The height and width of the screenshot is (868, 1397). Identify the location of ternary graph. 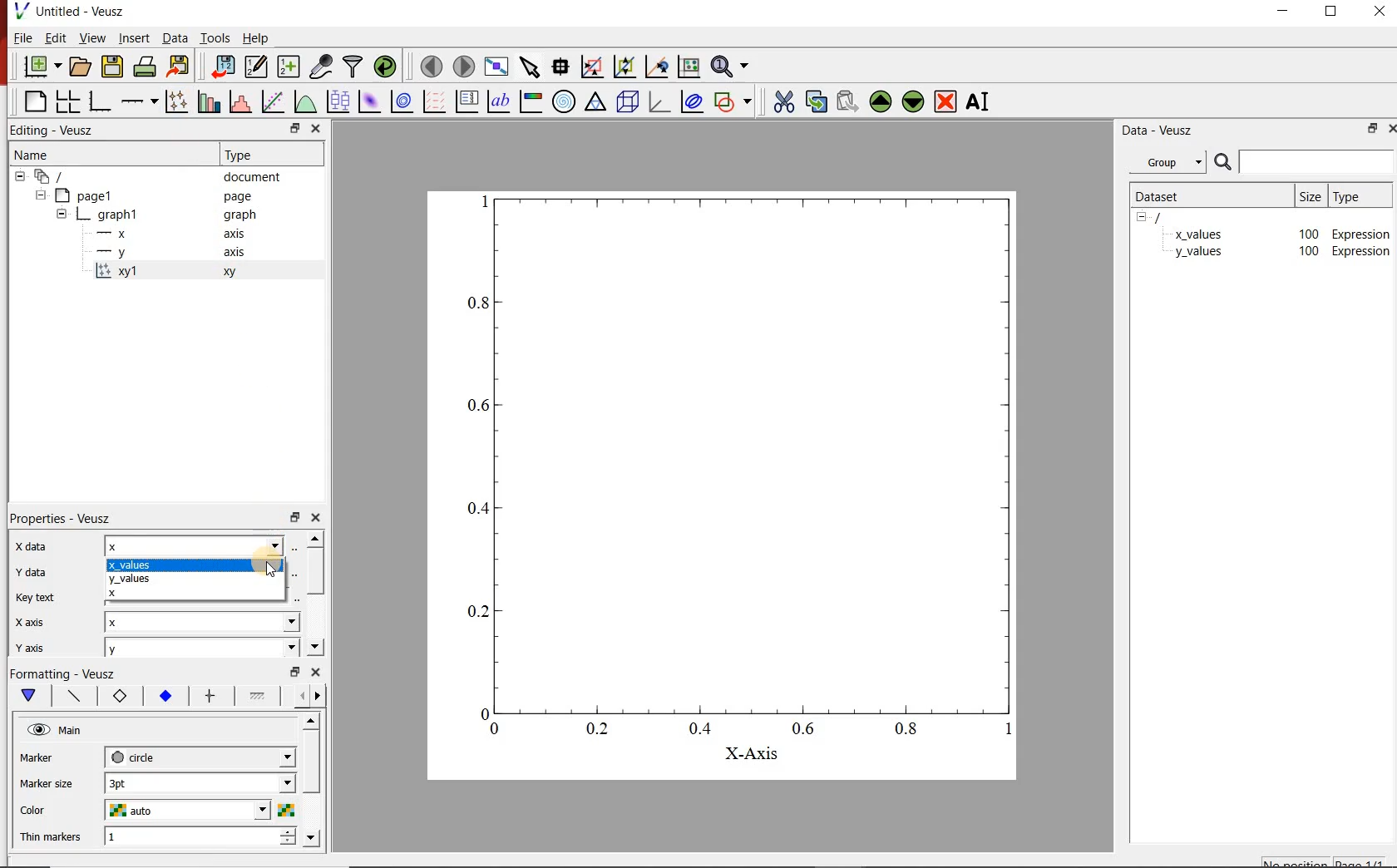
(597, 104).